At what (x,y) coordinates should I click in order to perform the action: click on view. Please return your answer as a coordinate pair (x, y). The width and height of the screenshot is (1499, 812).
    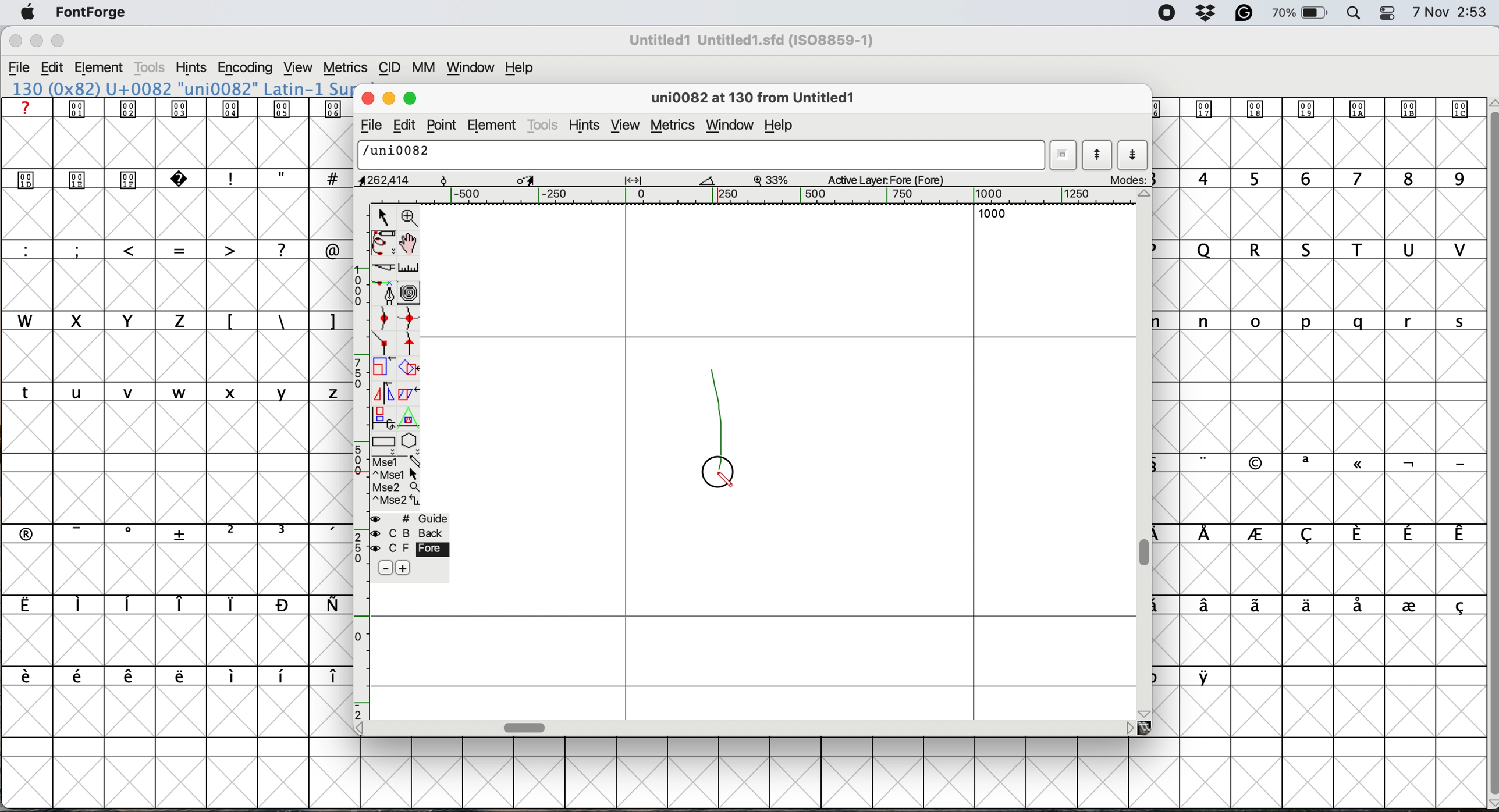
    Looking at the image, I should click on (626, 126).